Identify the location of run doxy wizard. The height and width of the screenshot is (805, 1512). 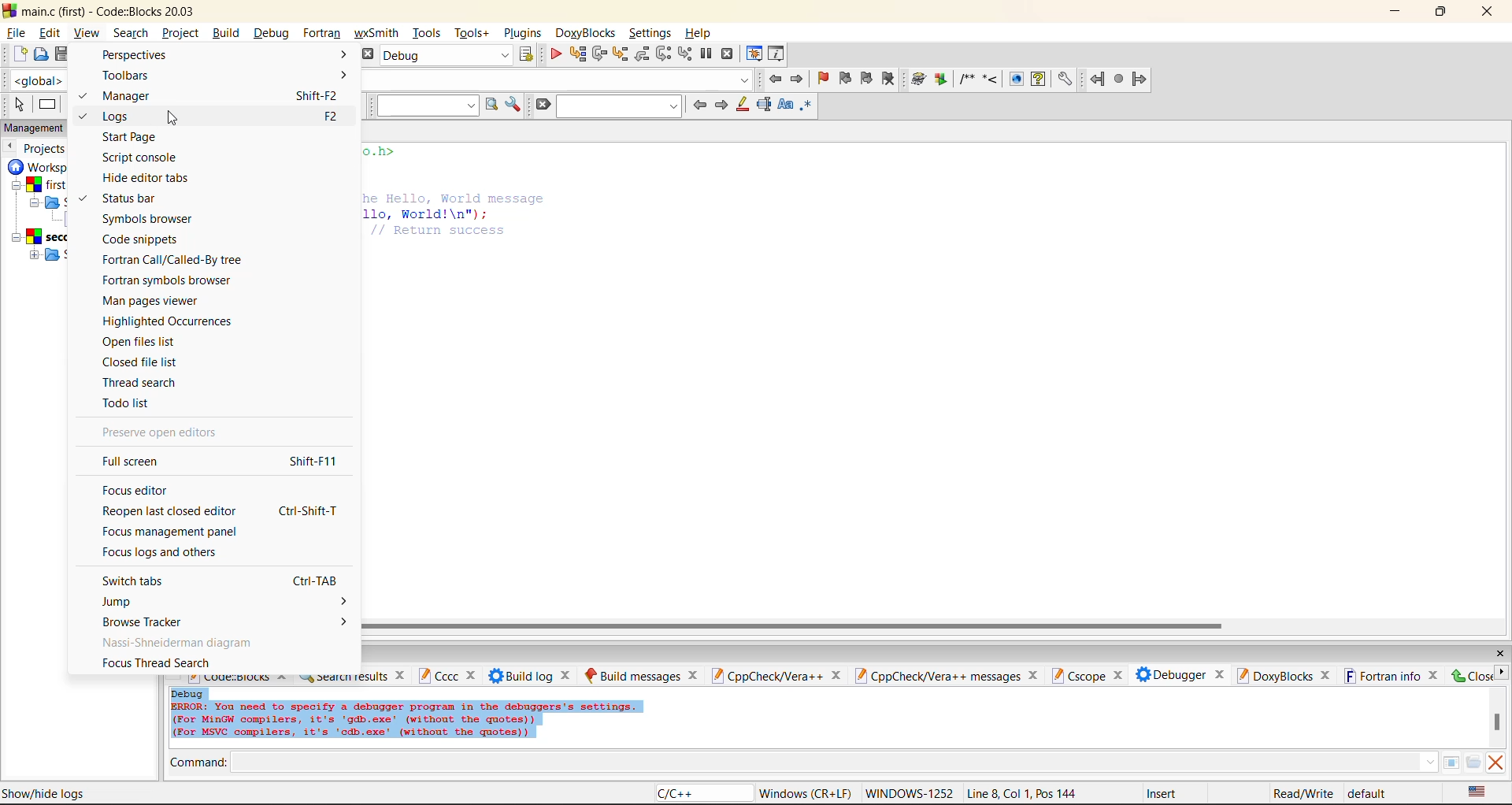
(918, 78).